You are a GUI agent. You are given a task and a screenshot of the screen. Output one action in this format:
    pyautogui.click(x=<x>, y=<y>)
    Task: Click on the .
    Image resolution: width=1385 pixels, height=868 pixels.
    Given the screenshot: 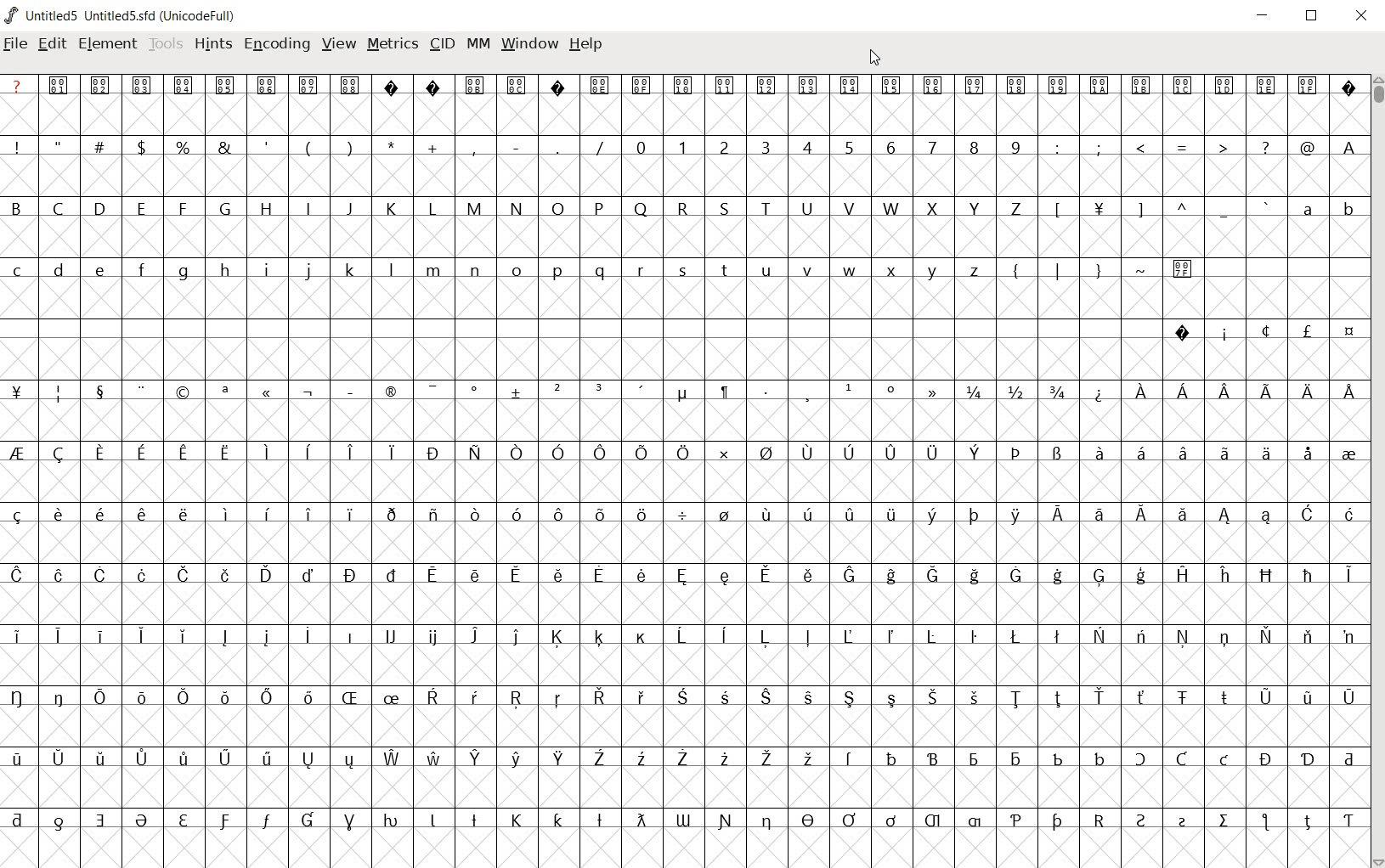 What is the action you would take?
    pyautogui.click(x=557, y=146)
    